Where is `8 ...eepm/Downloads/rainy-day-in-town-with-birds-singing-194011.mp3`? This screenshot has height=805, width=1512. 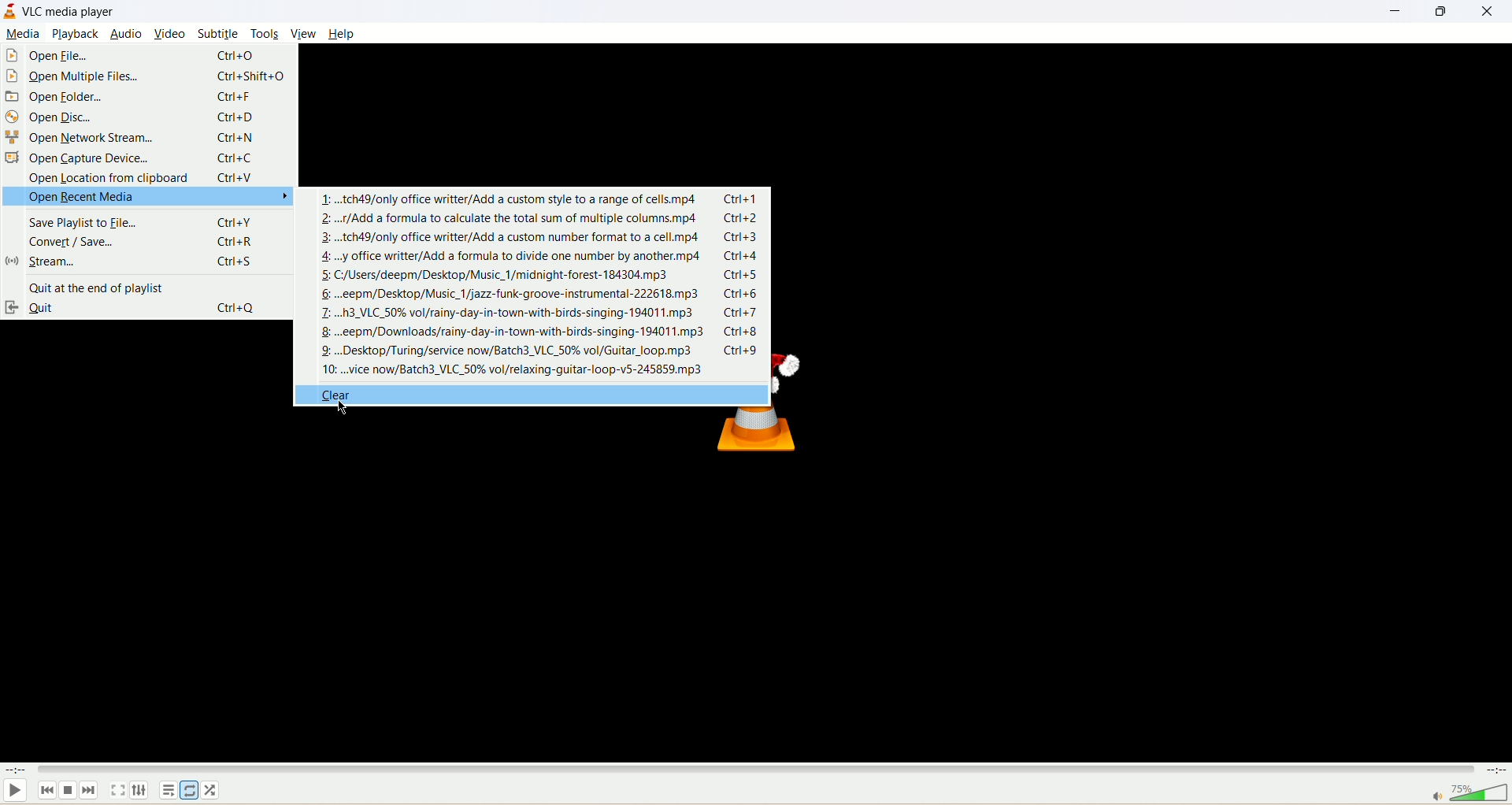
8 ...eepm/Downloads/rainy-day-in-town-with-birds-singing-194011.mp3 is located at coordinates (513, 332).